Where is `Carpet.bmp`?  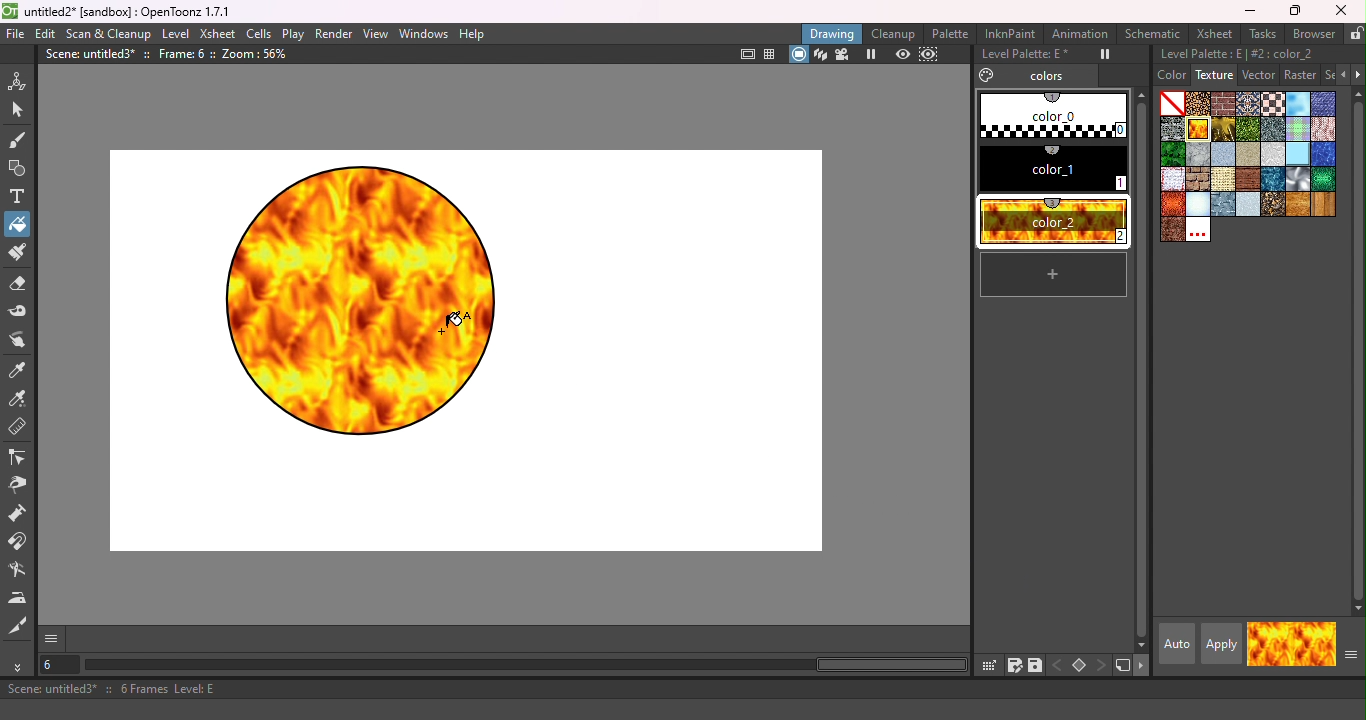
Carpet.bmp is located at coordinates (1249, 104).